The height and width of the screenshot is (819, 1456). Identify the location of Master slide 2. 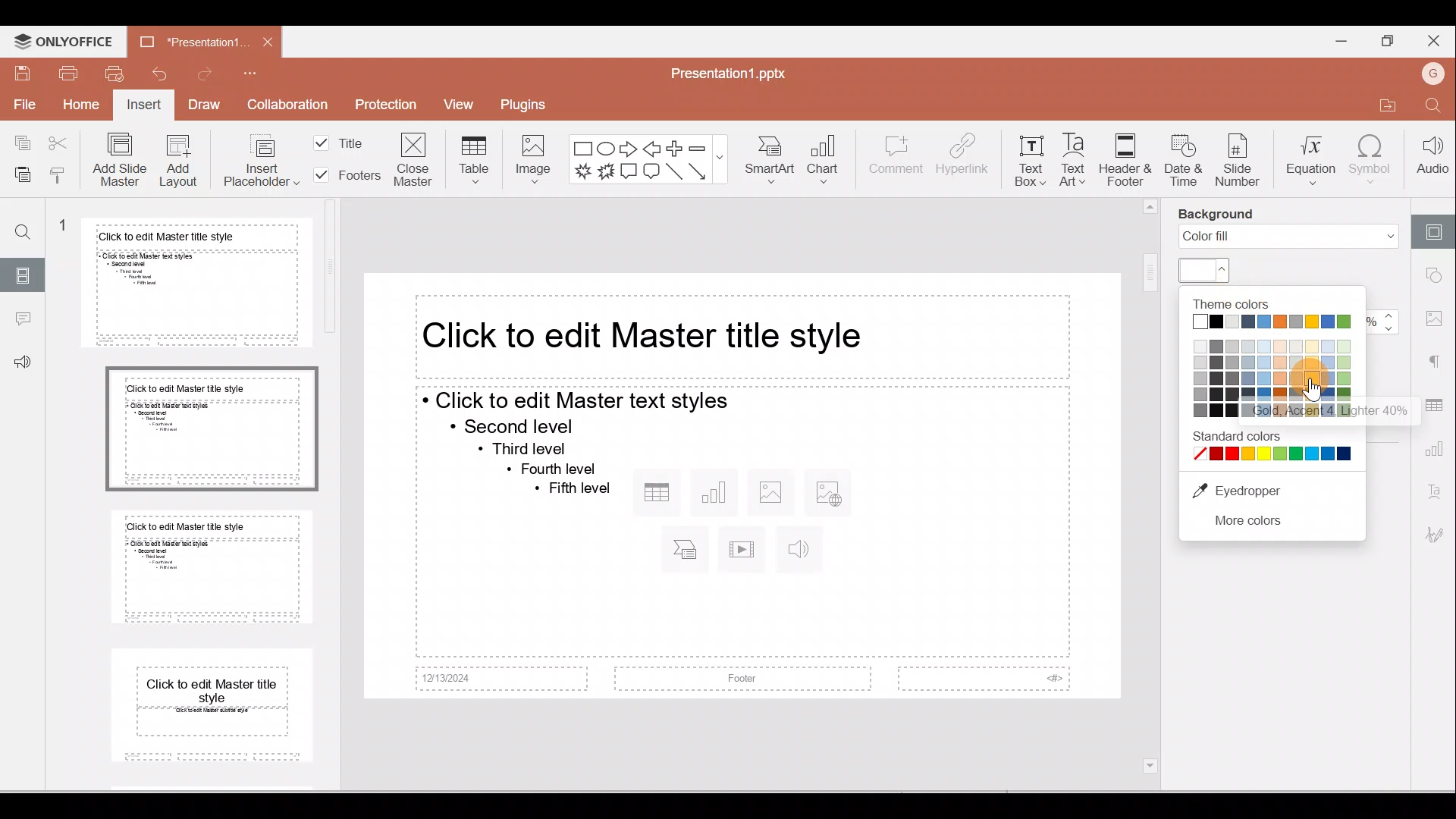
(213, 428).